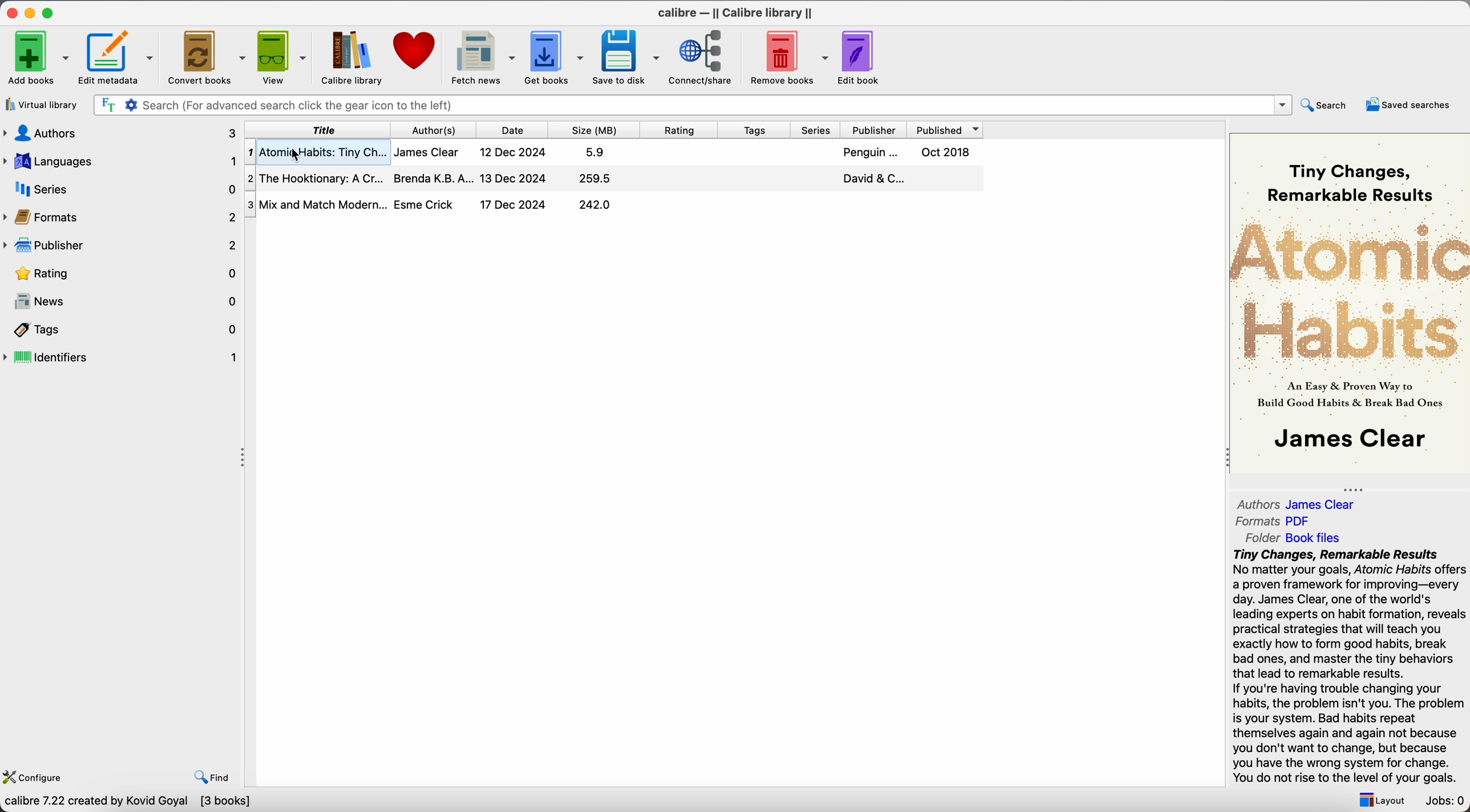 Image resolution: width=1470 pixels, height=812 pixels. Describe the element at coordinates (318, 152) in the screenshot. I see `Atomic Habits: Tiny Ch...` at that location.